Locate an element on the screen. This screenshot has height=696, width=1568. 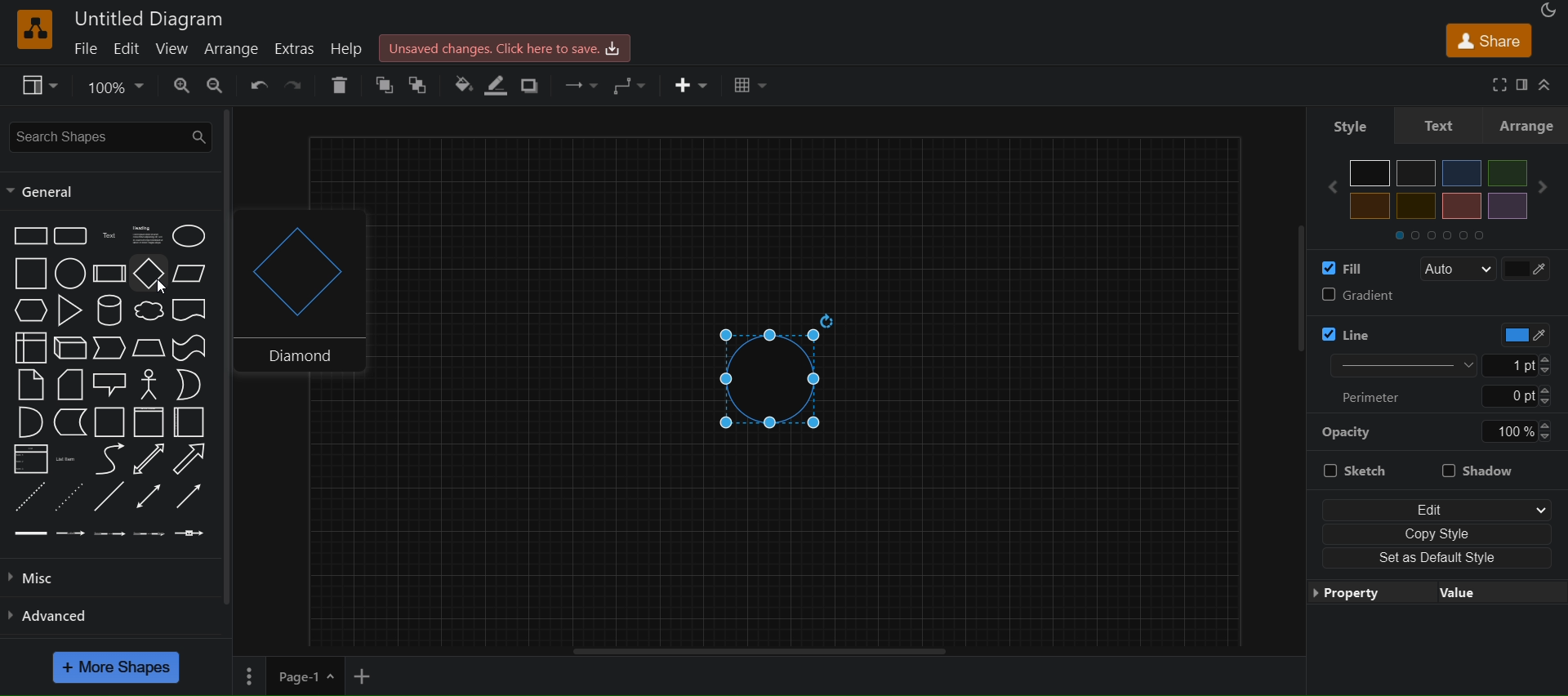
title is located at coordinates (150, 18).